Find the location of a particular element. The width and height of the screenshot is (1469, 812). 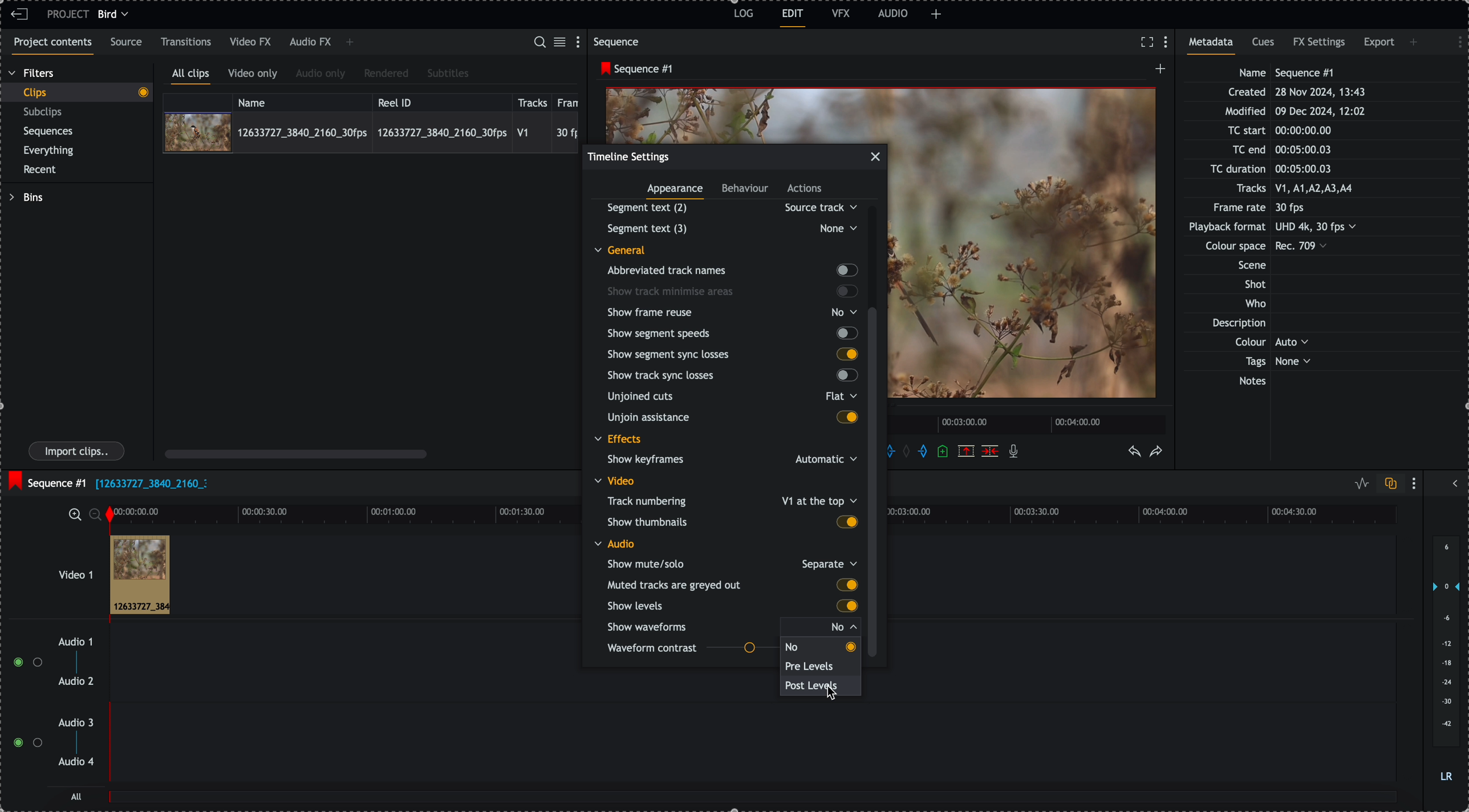

show settings menu is located at coordinates (1417, 483).